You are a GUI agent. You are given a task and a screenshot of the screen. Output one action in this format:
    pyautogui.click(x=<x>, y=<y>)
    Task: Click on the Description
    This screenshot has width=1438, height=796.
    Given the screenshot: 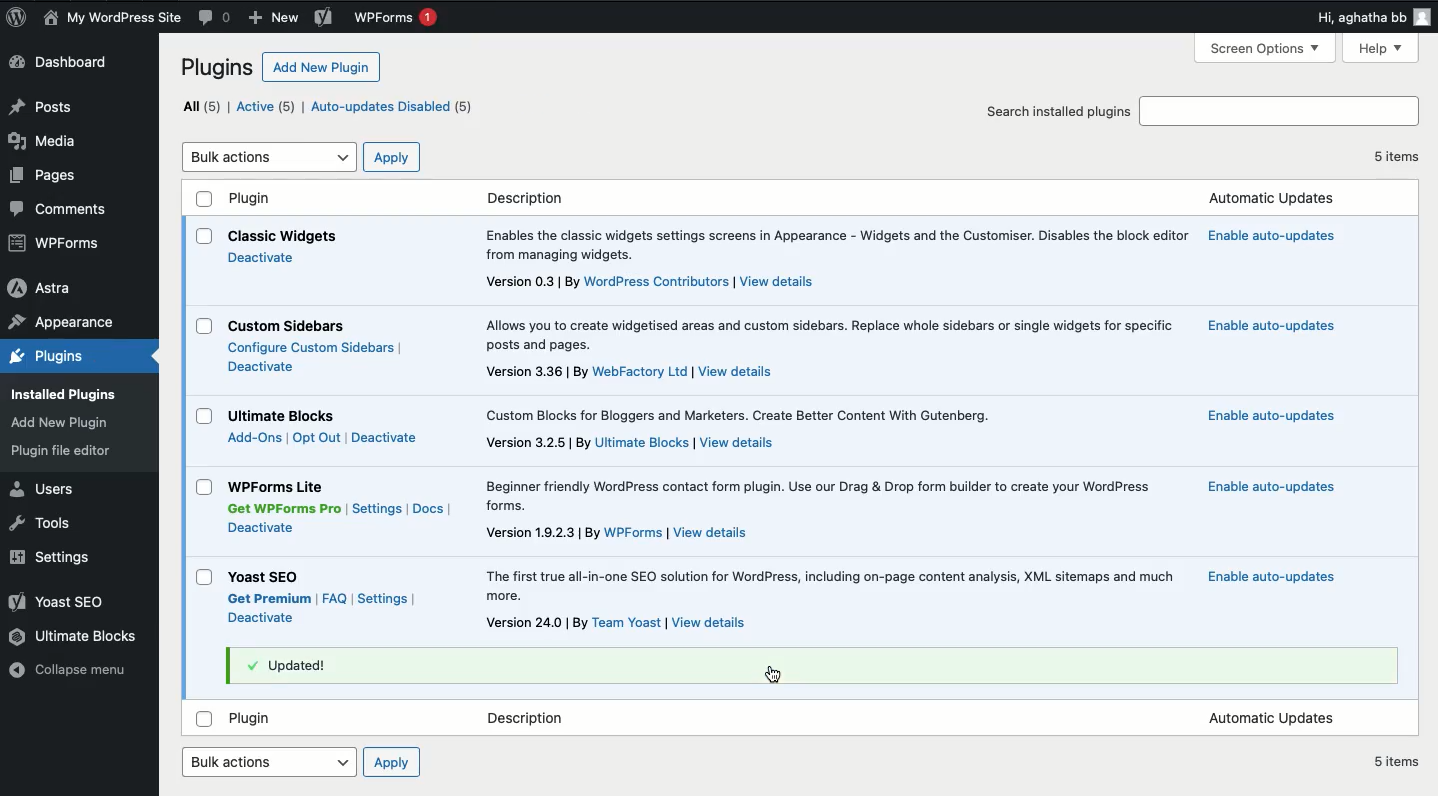 What is the action you would take?
    pyautogui.click(x=526, y=198)
    